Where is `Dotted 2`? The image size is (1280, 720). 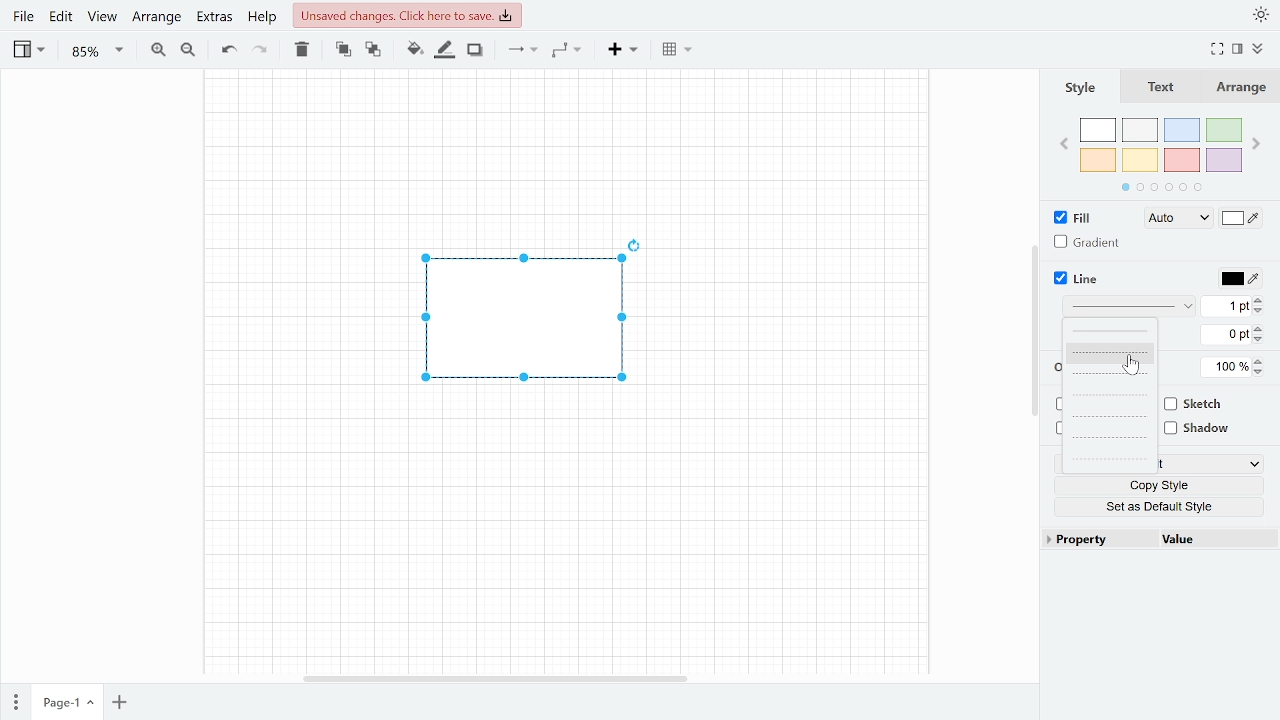
Dotted 2 is located at coordinates (1110, 458).